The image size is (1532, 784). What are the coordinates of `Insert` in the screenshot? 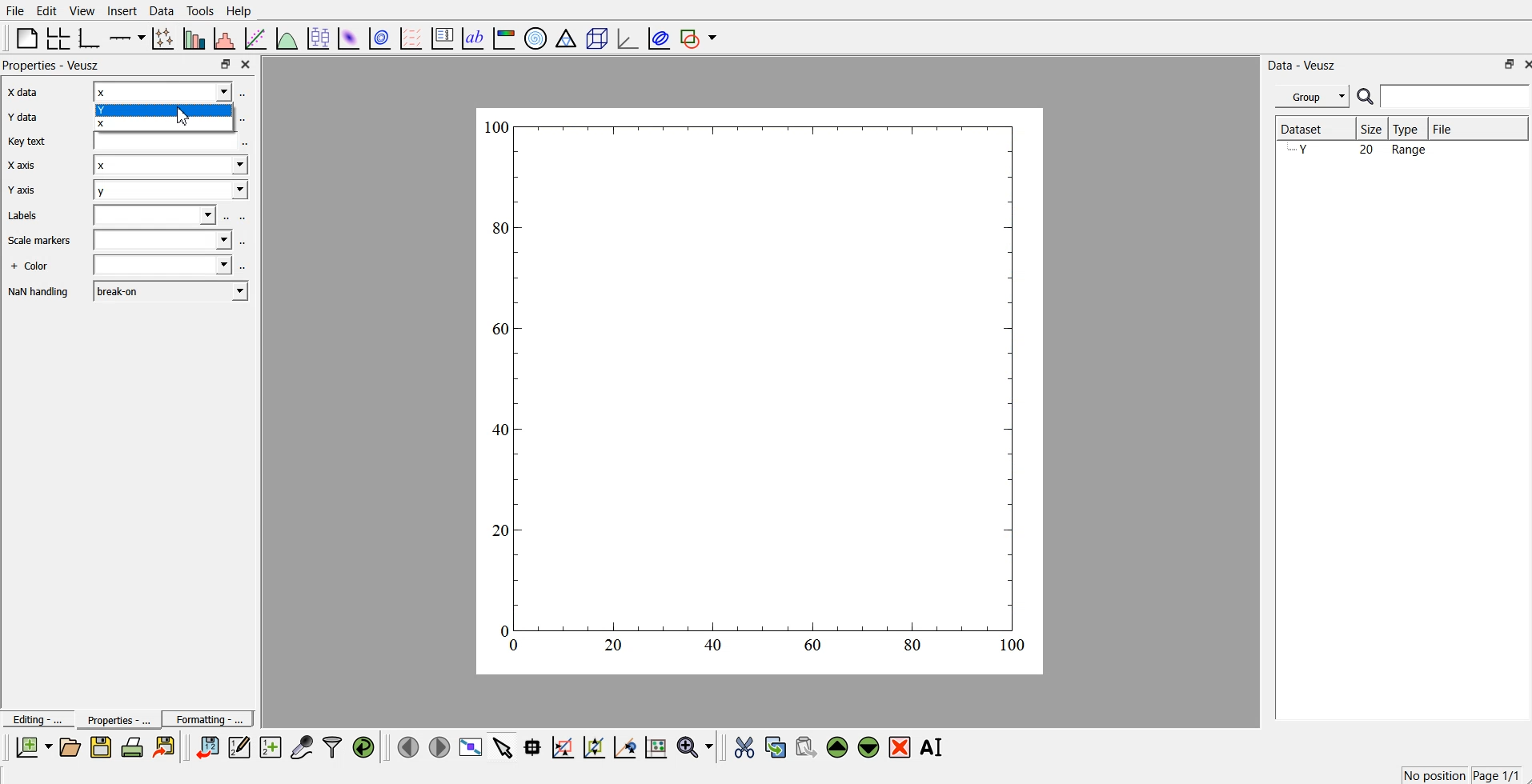 It's located at (120, 11).